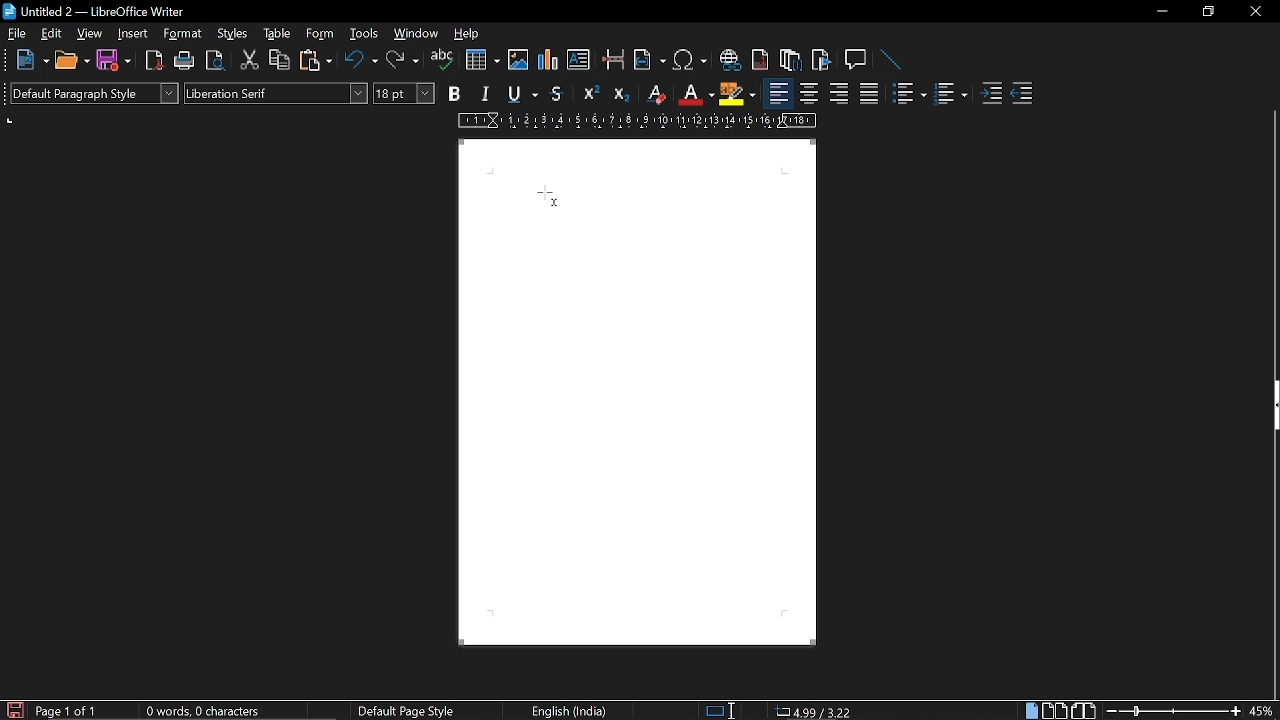 The width and height of the screenshot is (1280, 720). Describe the element at coordinates (649, 62) in the screenshot. I see `insert field` at that location.